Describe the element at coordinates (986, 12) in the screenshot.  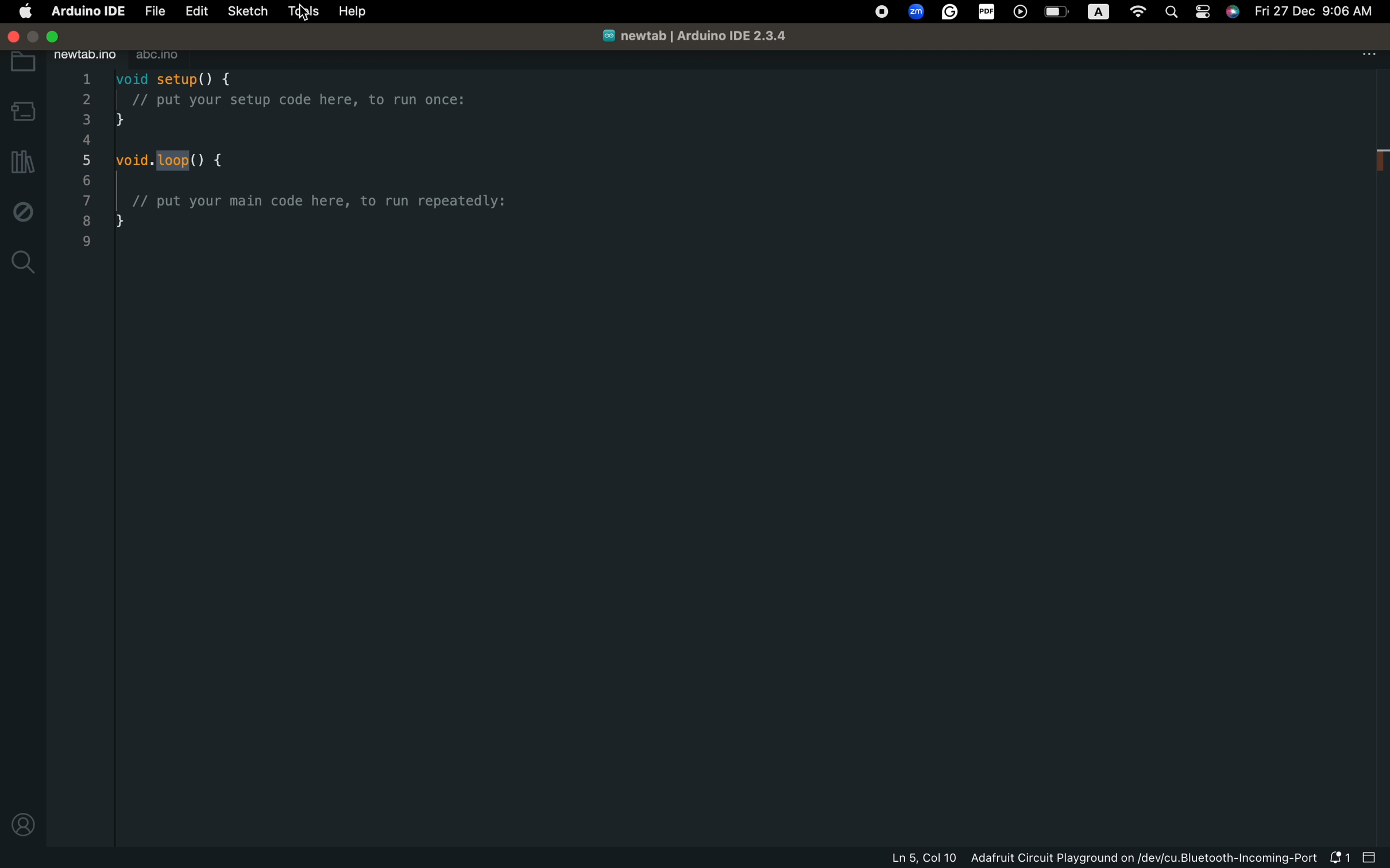
I see `PDF` at that location.